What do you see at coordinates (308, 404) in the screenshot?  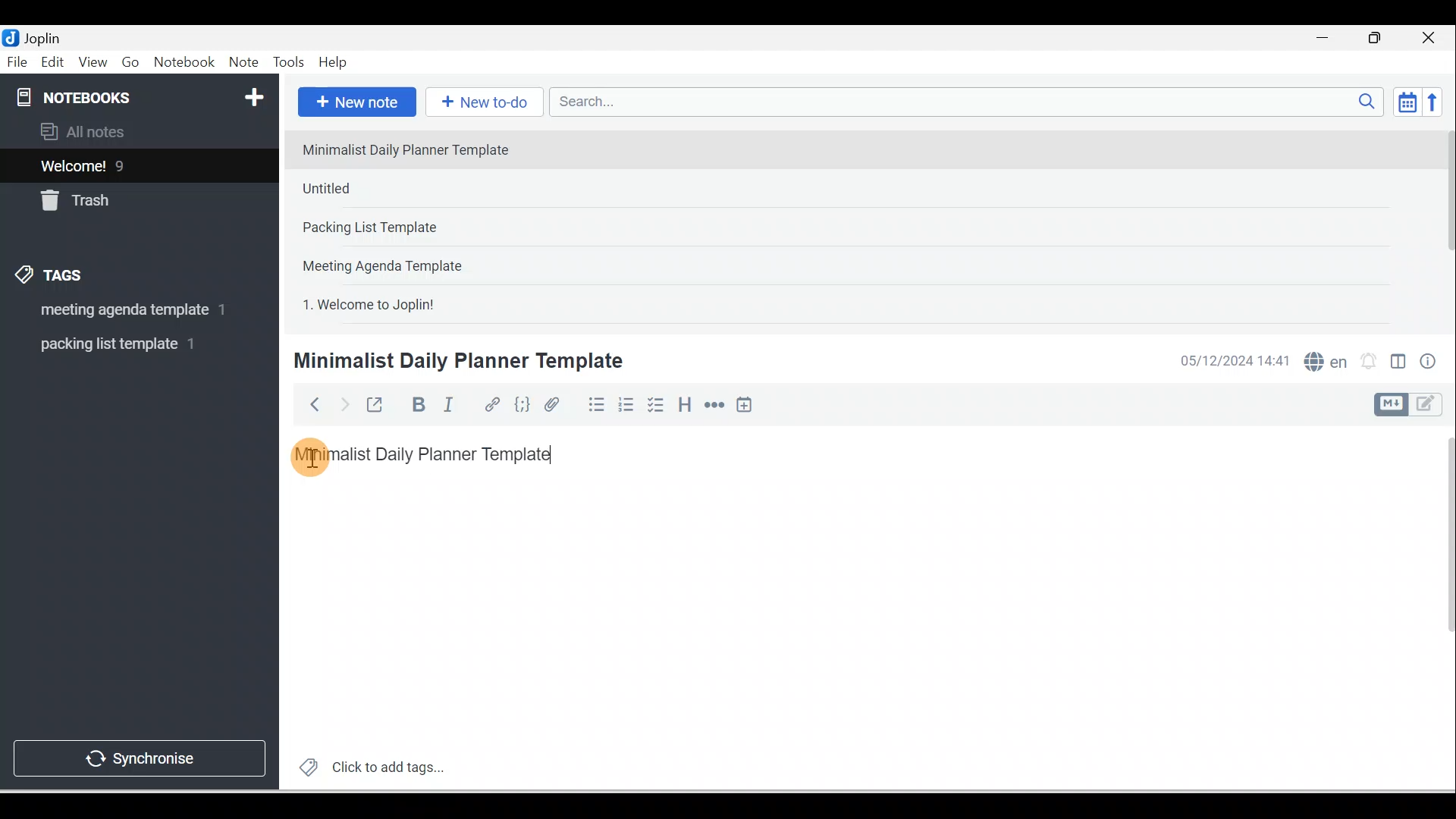 I see `Back` at bounding box center [308, 404].